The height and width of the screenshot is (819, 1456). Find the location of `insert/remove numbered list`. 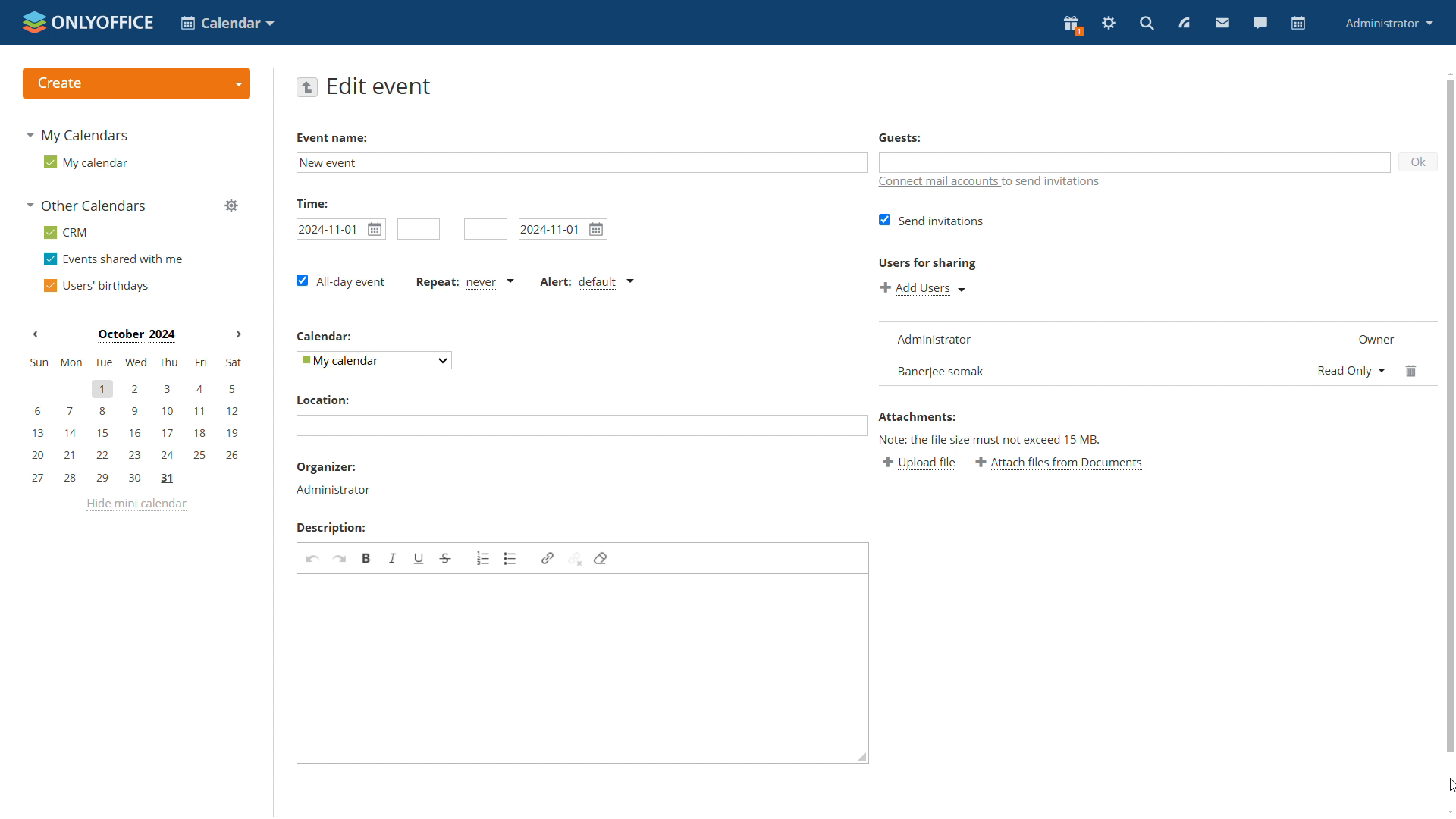

insert/remove numbered list is located at coordinates (484, 560).